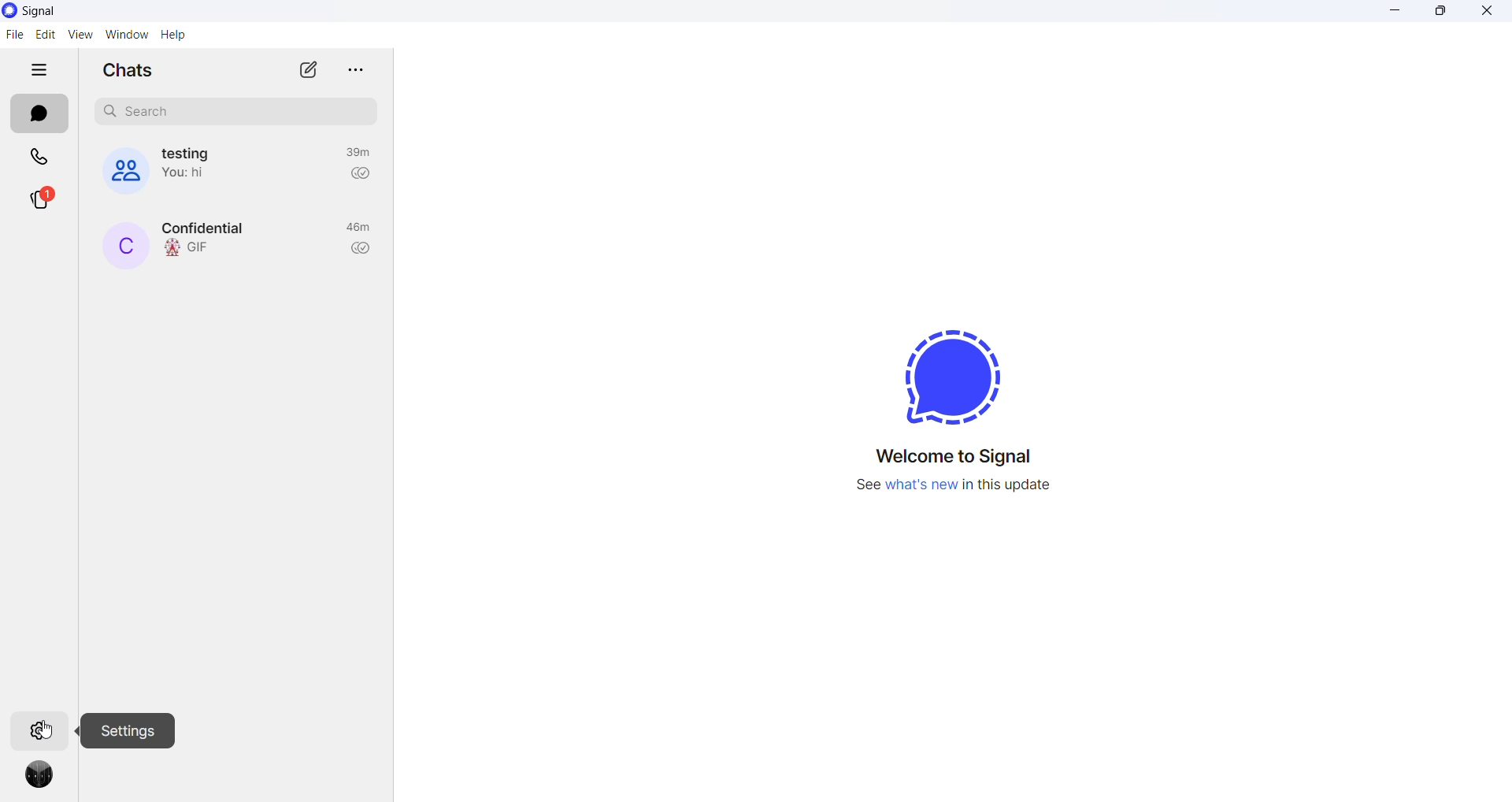 This screenshot has width=1512, height=802. What do you see at coordinates (191, 152) in the screenshot?
I see `group name` at bounding box center [191, 152].